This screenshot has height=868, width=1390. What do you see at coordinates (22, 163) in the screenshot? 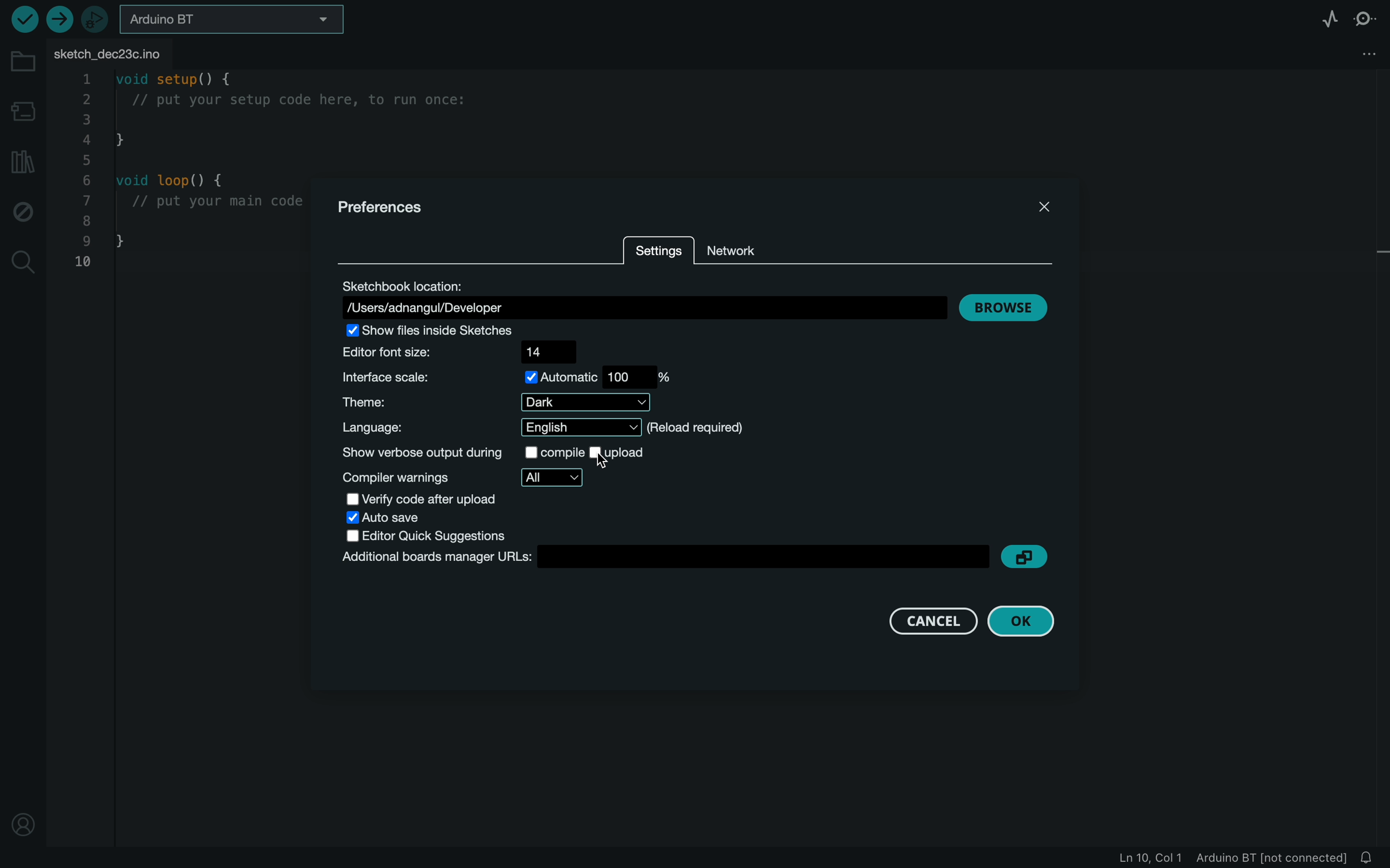
I see `library manager` at bounding box center [22, 163].